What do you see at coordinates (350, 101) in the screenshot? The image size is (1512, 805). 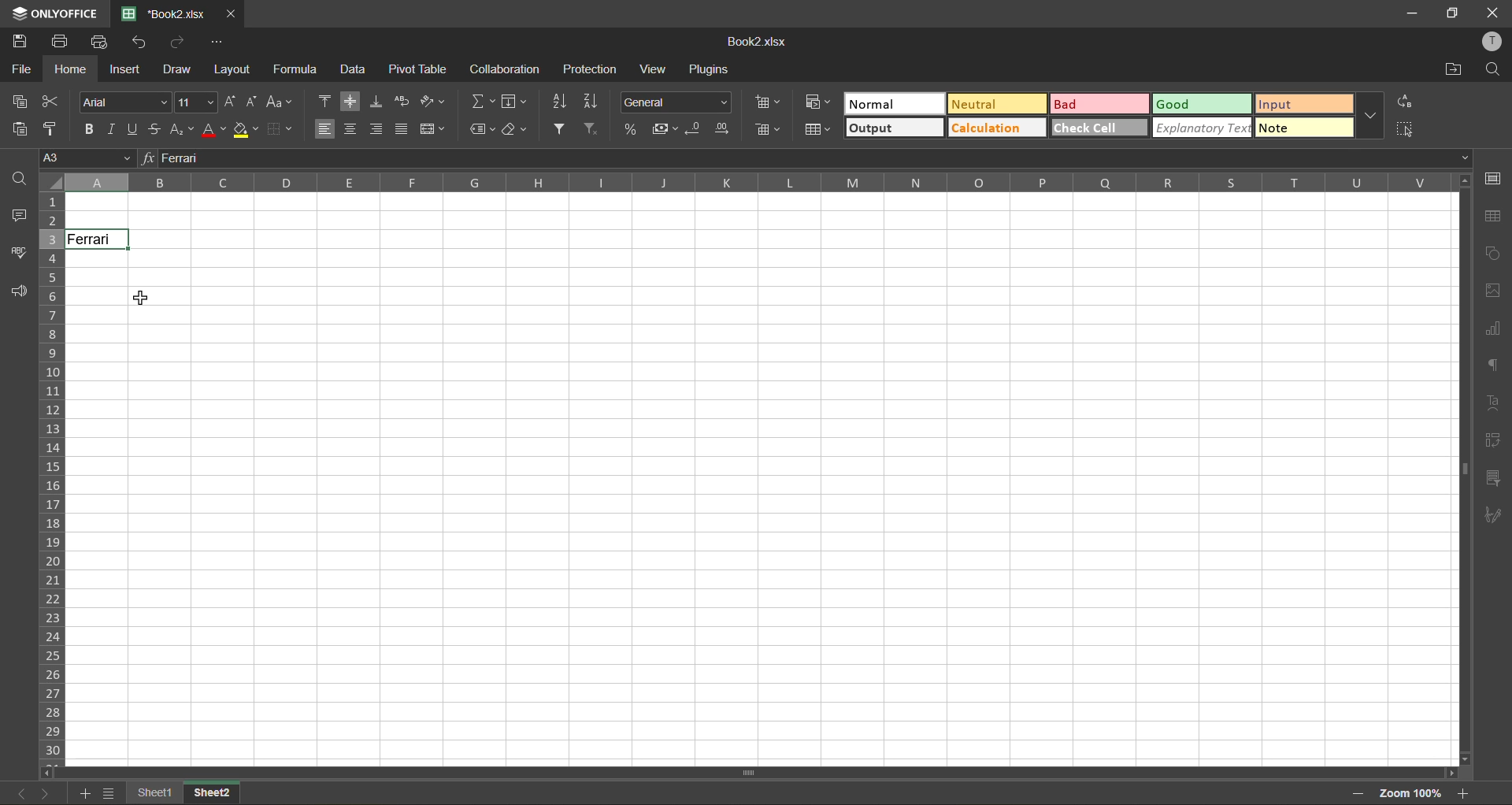 I see `align middle` at bounding box center [350, 101].